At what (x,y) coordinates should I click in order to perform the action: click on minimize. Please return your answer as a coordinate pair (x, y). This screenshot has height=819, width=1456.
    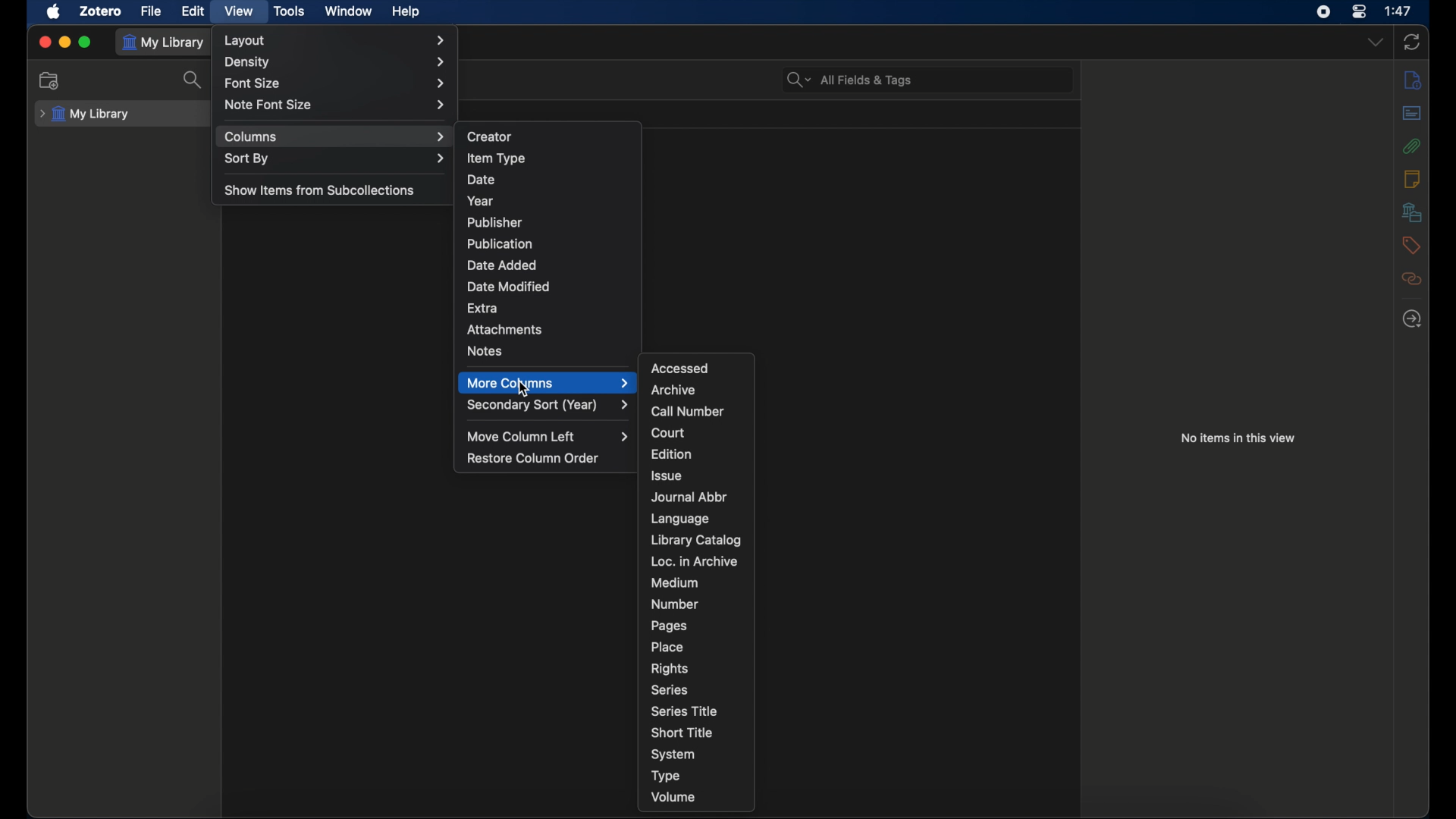
    Looking at the image, I should click on (65, 41).